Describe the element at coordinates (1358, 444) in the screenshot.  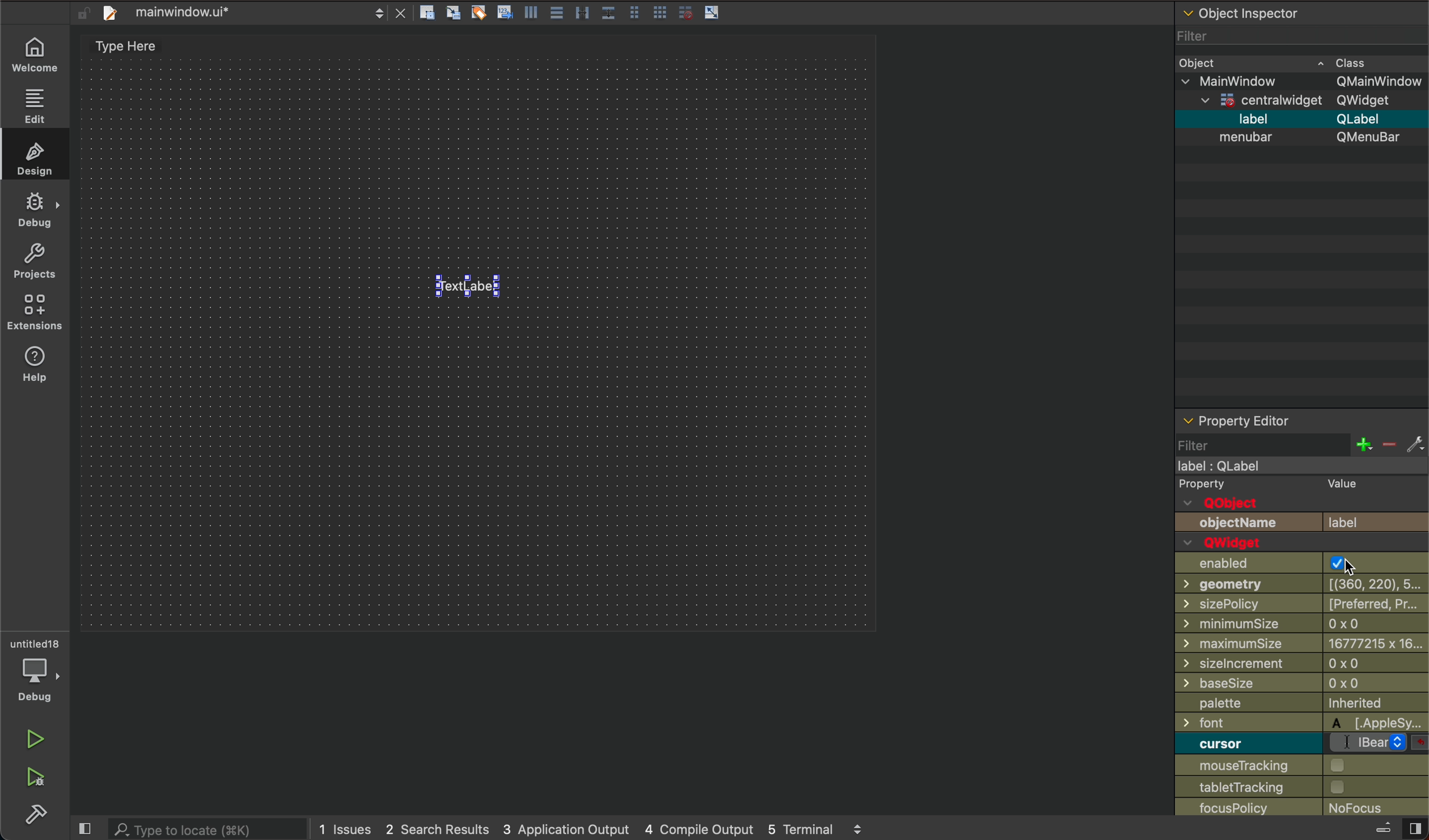
I see `increase` at that location.